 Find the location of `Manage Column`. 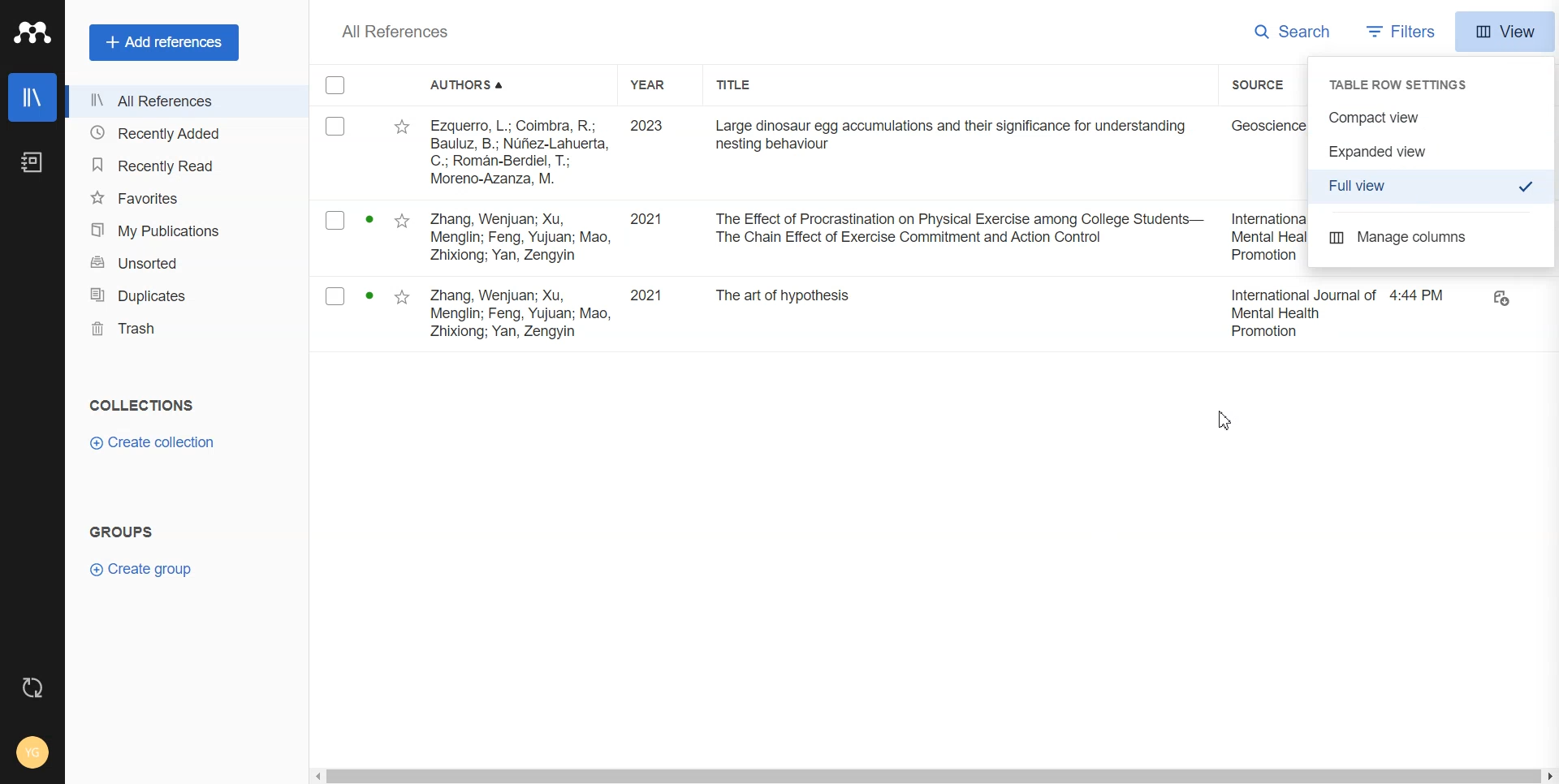

Manage Column is located at coordinates (1432, 238).